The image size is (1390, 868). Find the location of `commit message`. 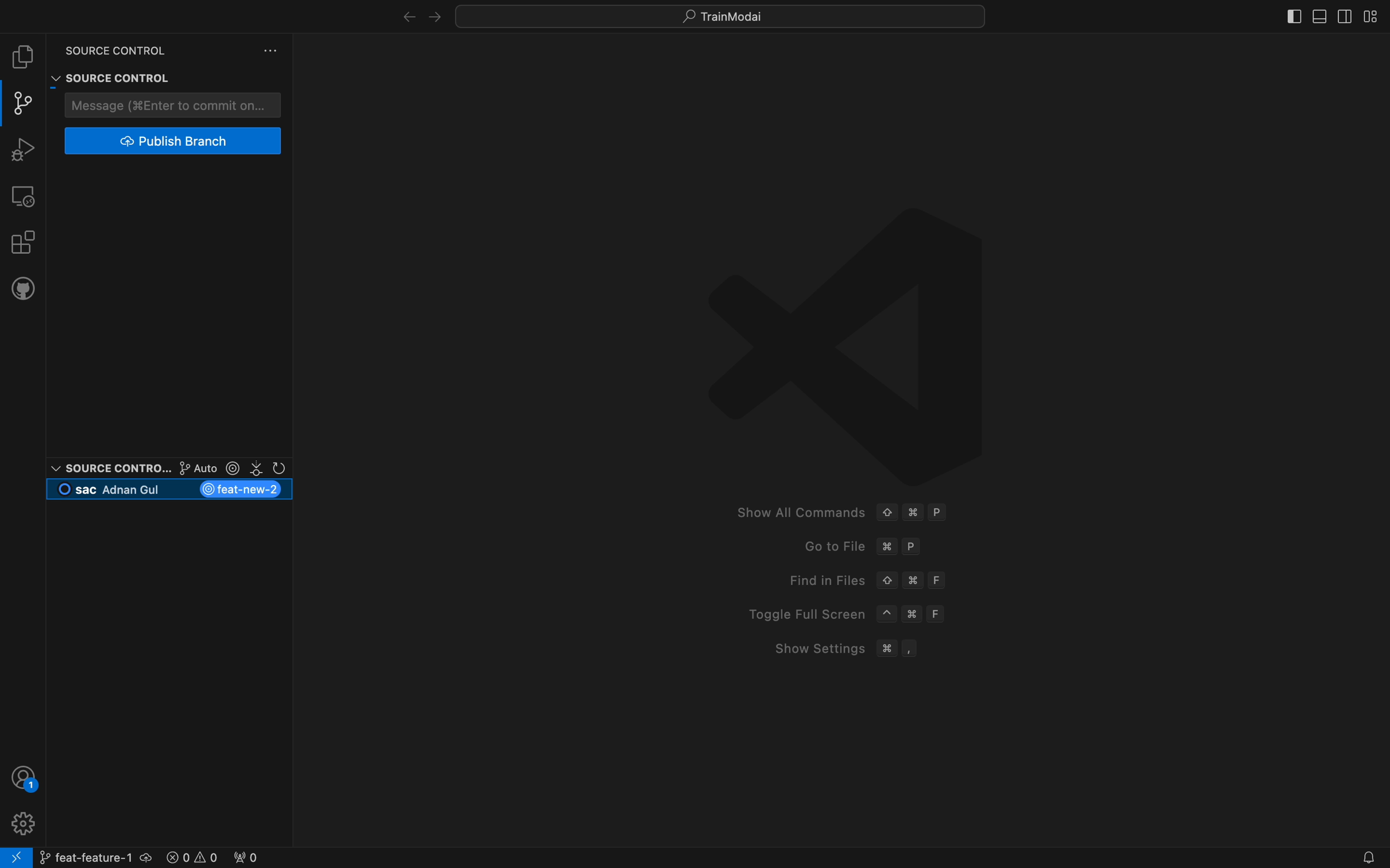

commit message is located at coordinates (175, 105).